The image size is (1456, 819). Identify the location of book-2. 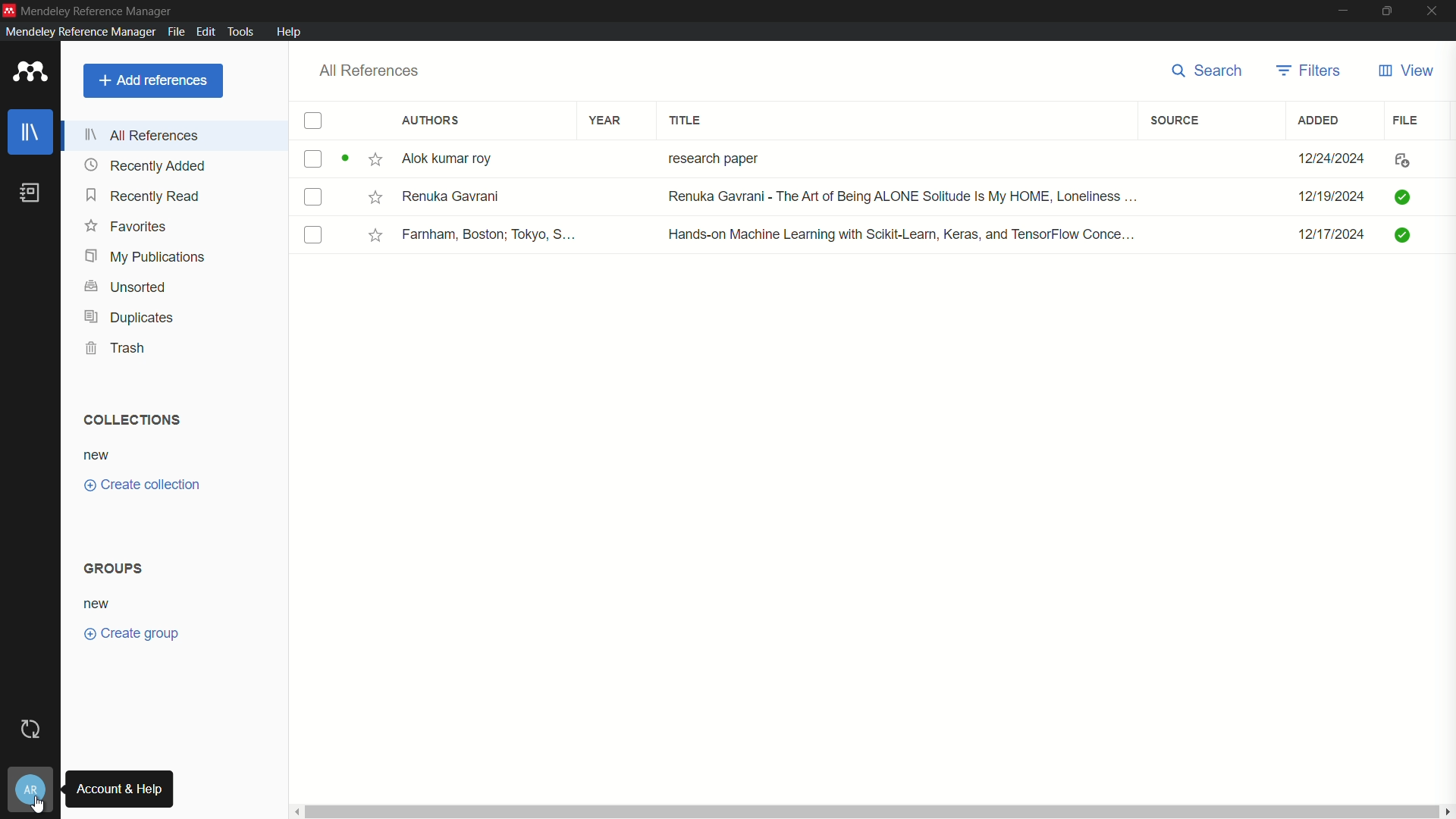
(915, 198).